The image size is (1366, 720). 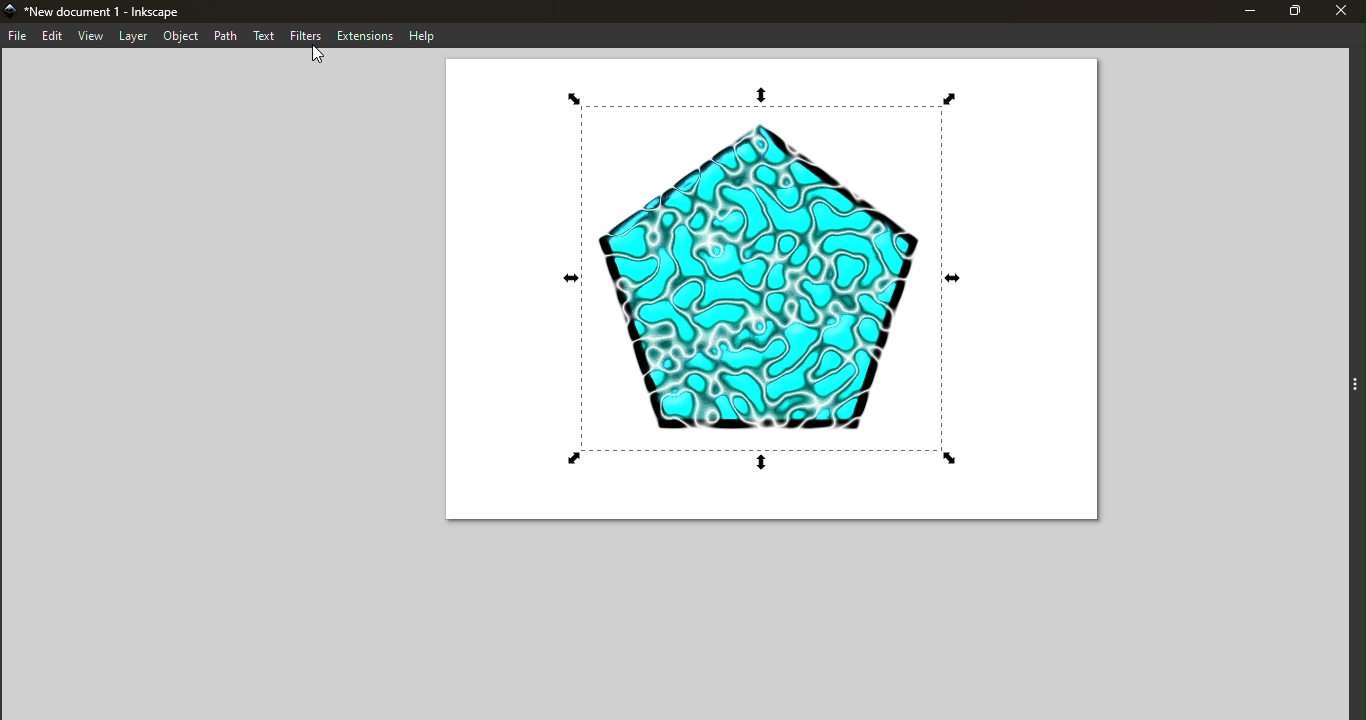 What do you see at coordinates (319, 55) in the screenshot?
I see `cursor` at bounding box center [319, 55].